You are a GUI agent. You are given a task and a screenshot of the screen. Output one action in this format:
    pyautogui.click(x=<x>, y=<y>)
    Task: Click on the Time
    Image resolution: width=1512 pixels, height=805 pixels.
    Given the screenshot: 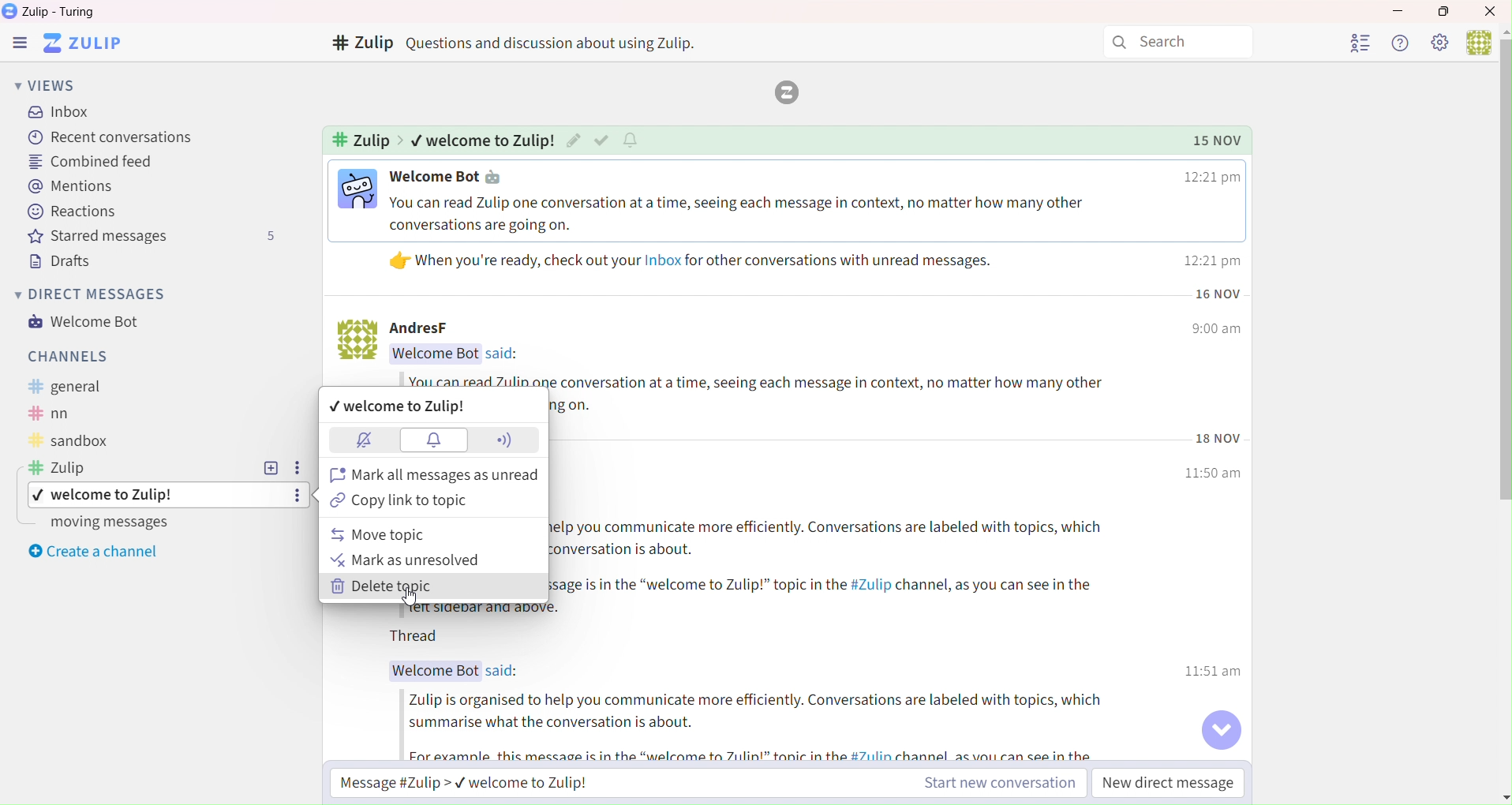 What is the action you would take?
    pyautogui.click(x=1214, y=260)
    